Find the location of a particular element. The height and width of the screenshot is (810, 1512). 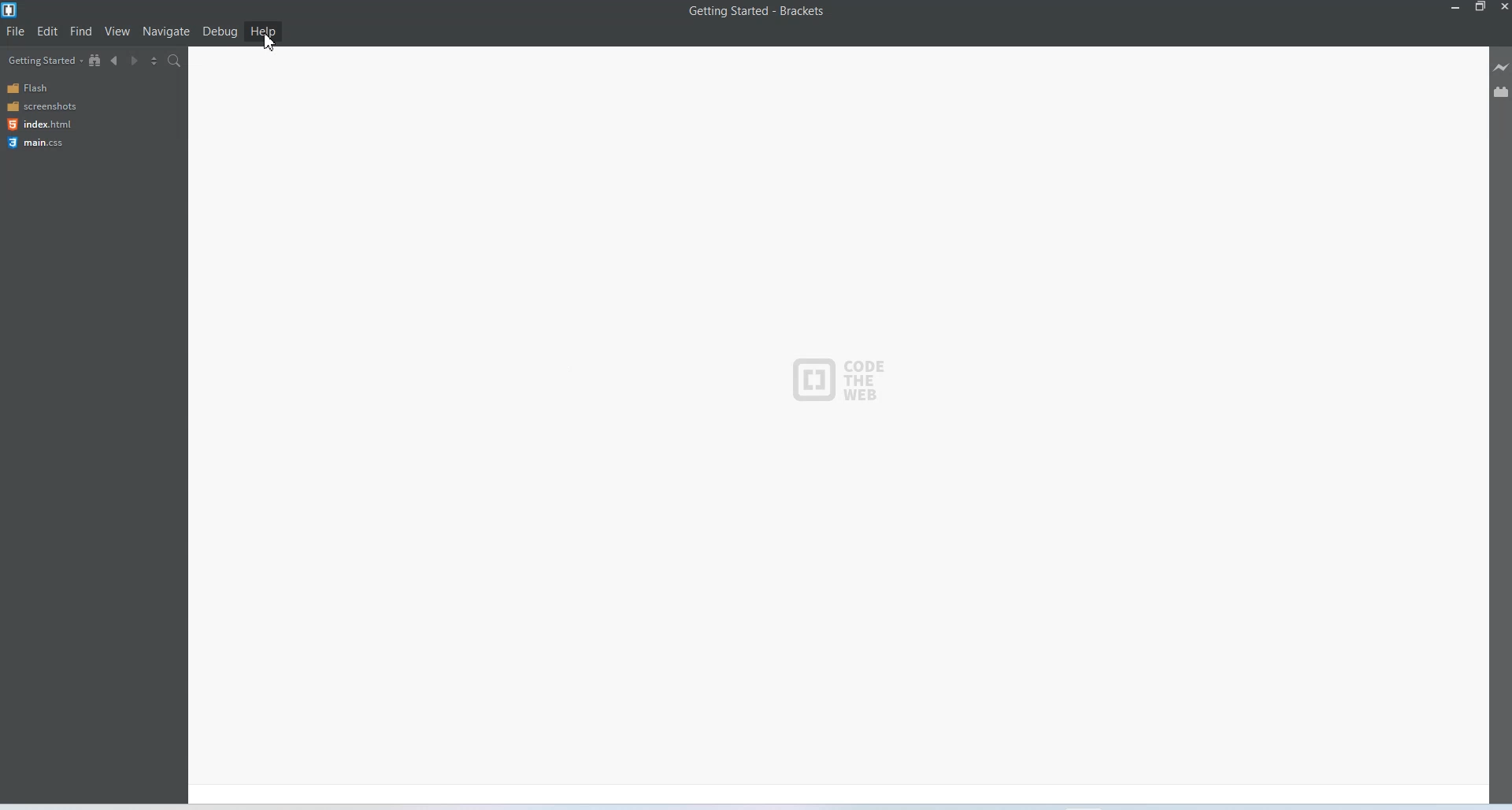

Logo is located at coordinates (836, 377).